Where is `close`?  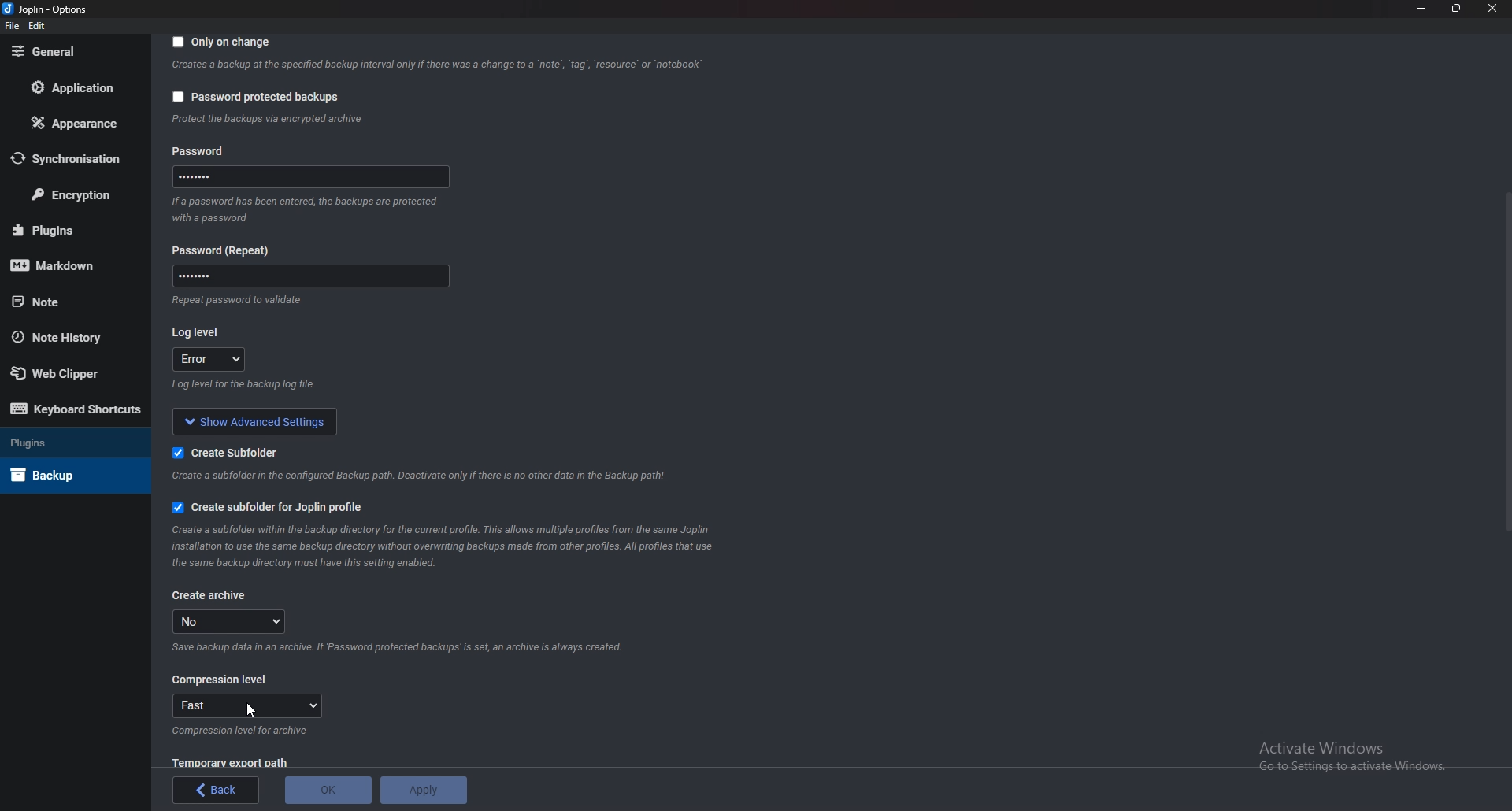 close is located at coordinates (1491, 8).